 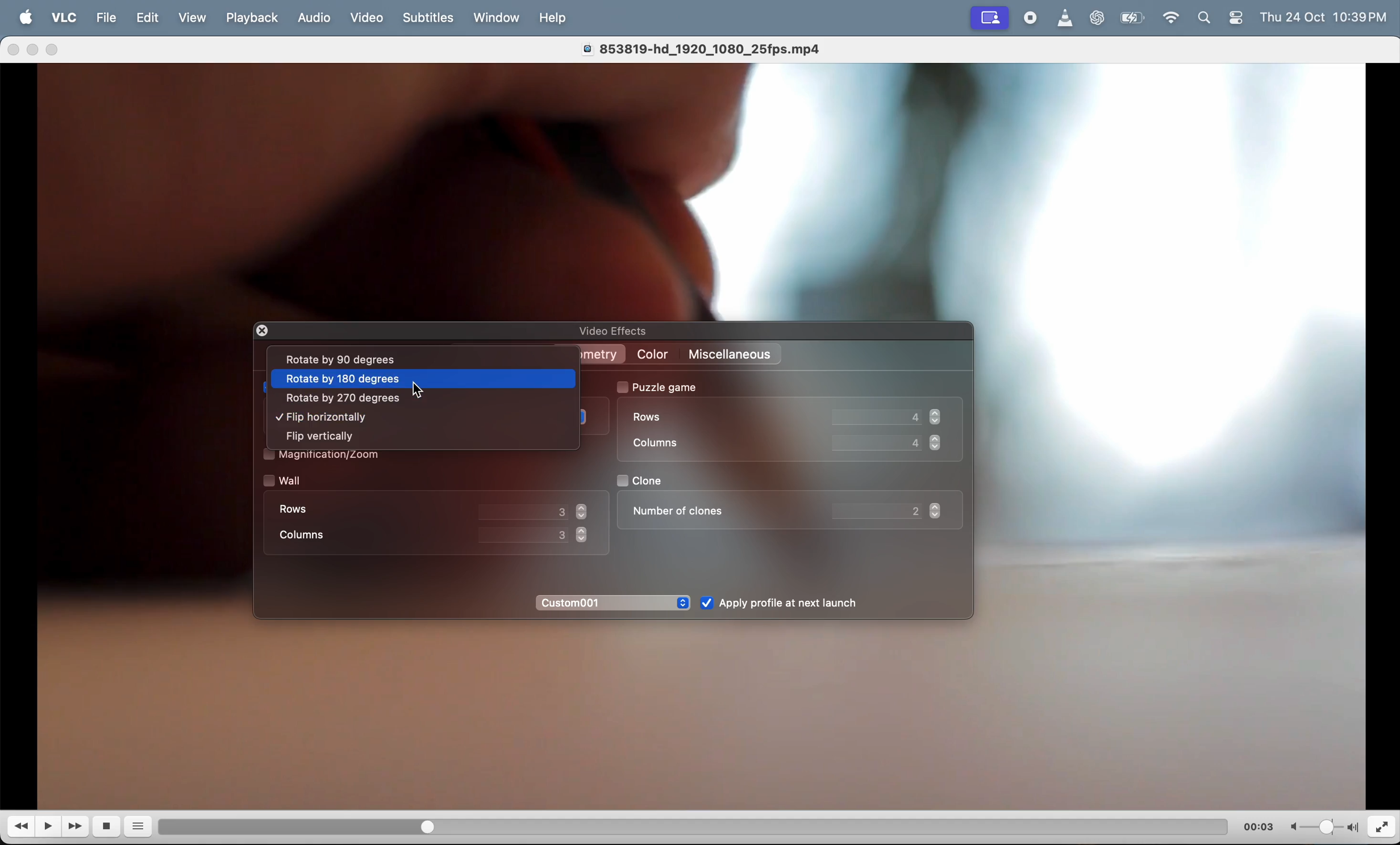 I want to click on wifi, so click(x=1173, y=20).